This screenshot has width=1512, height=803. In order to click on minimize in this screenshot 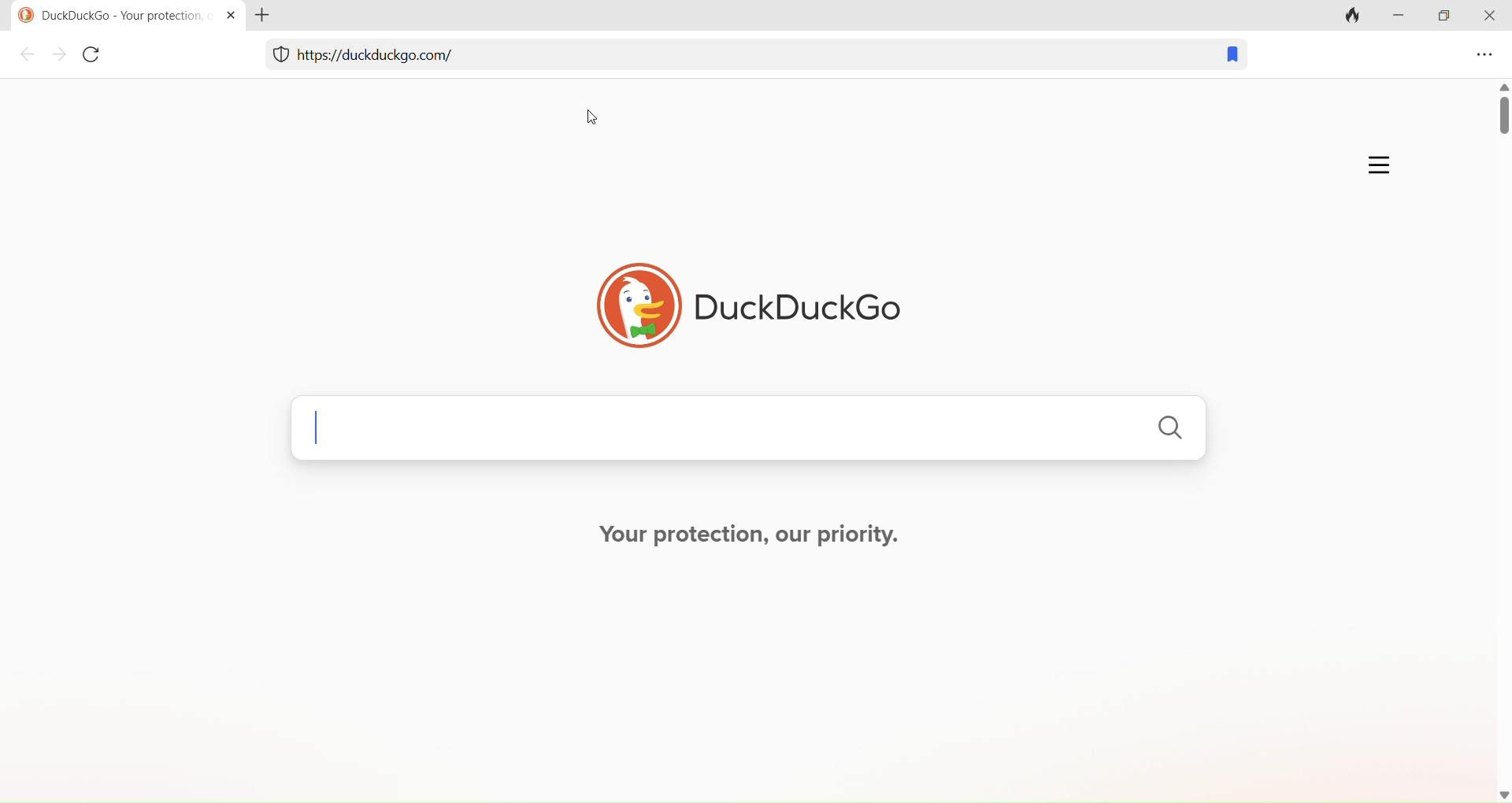, I will do `click(1403, 20)`.